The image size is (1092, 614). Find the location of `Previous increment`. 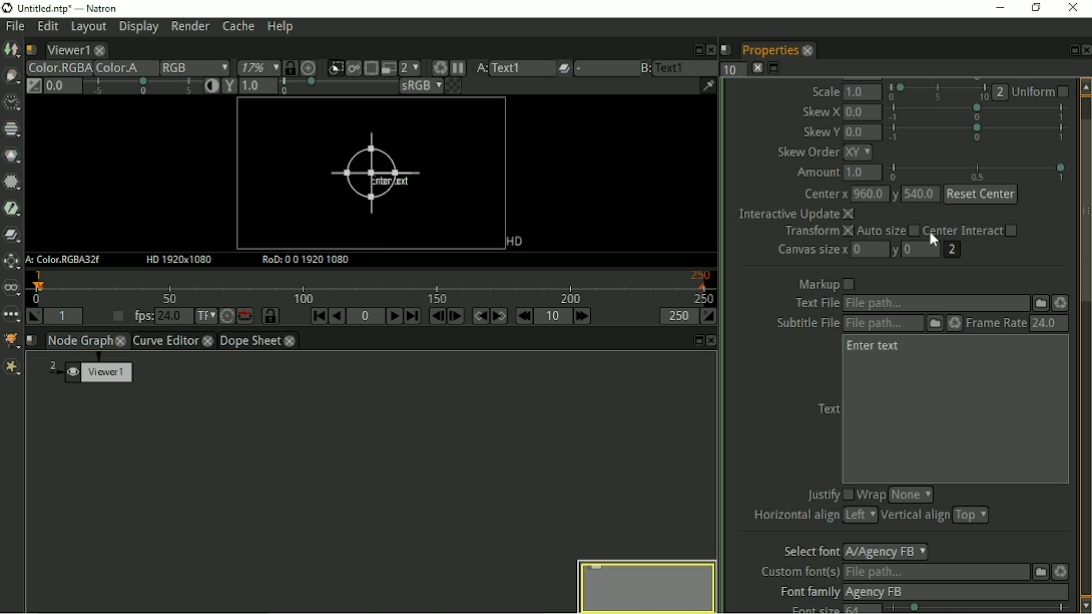

Previous increment is located at coordinates (524, 316).